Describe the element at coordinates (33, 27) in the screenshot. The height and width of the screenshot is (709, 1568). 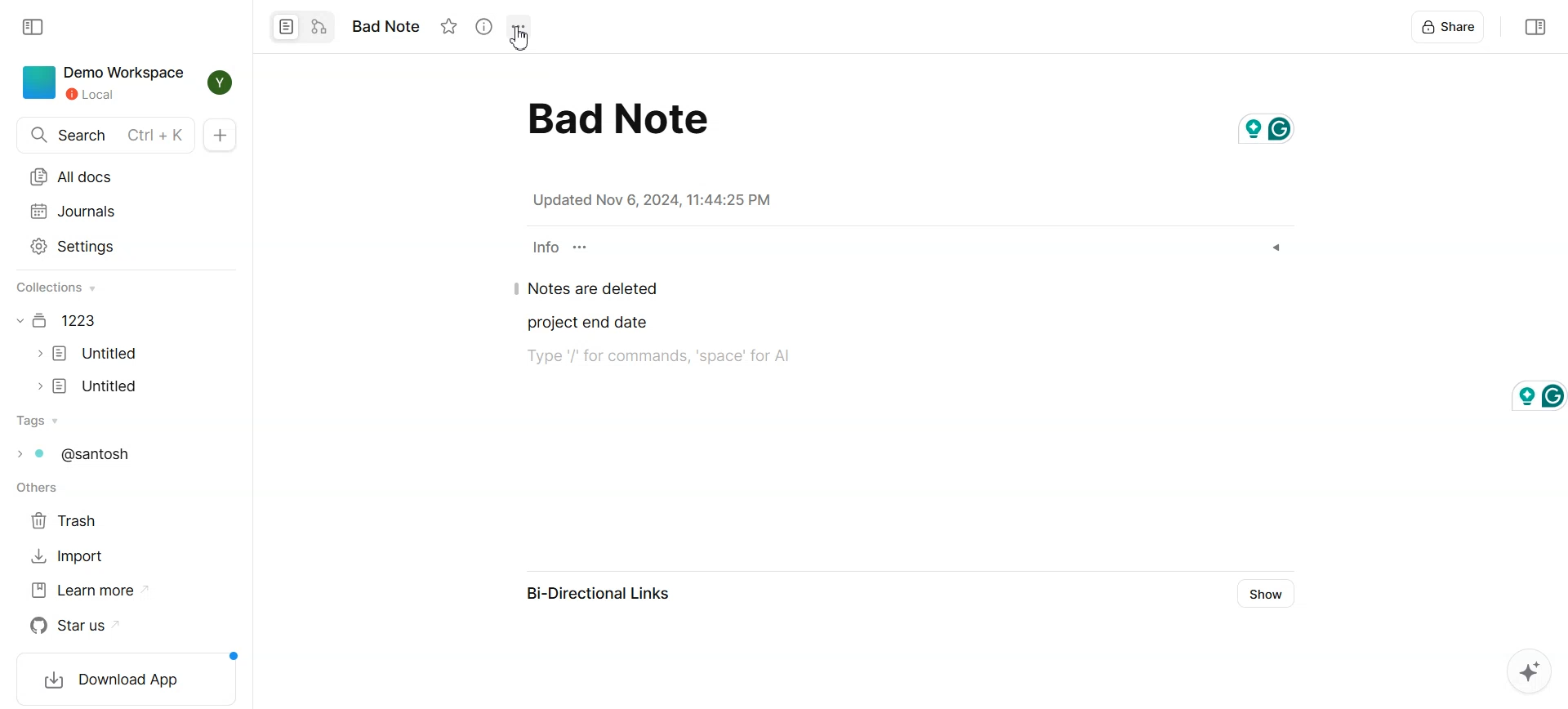
I see `Collapse sidebar` at that location.